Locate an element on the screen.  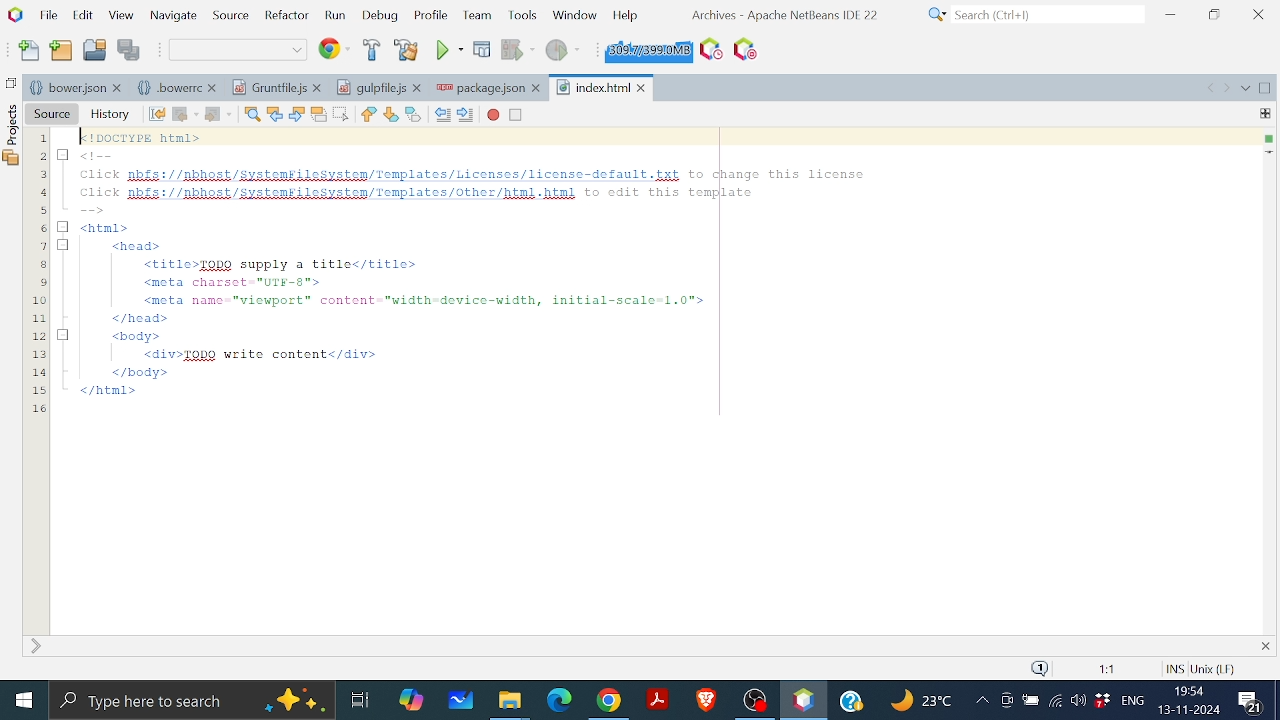
Profile project is located at coordinates (562, 49).